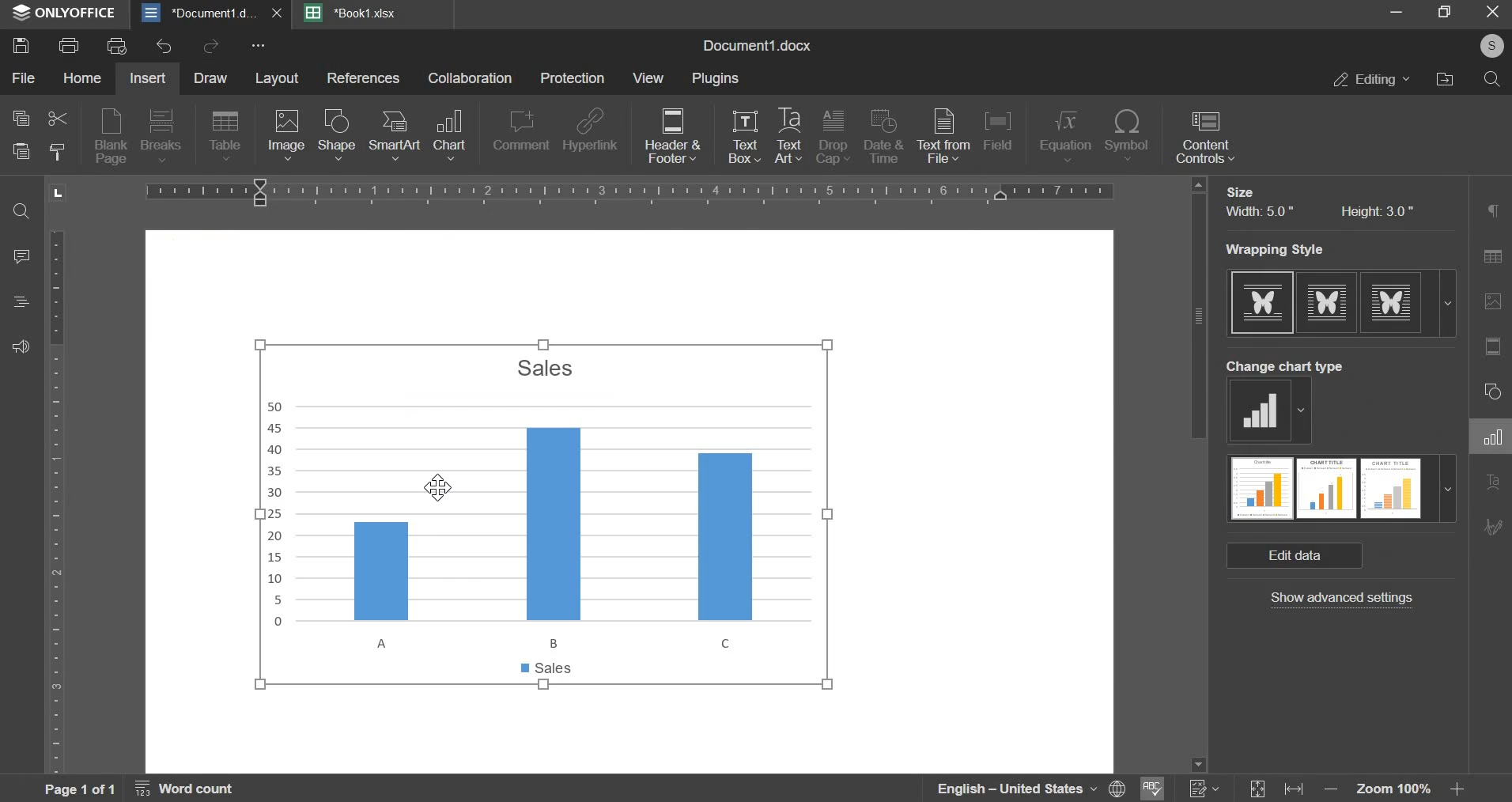  Describe the element at coordinates (21, 45) in the screenshot. I see `save` at that location.